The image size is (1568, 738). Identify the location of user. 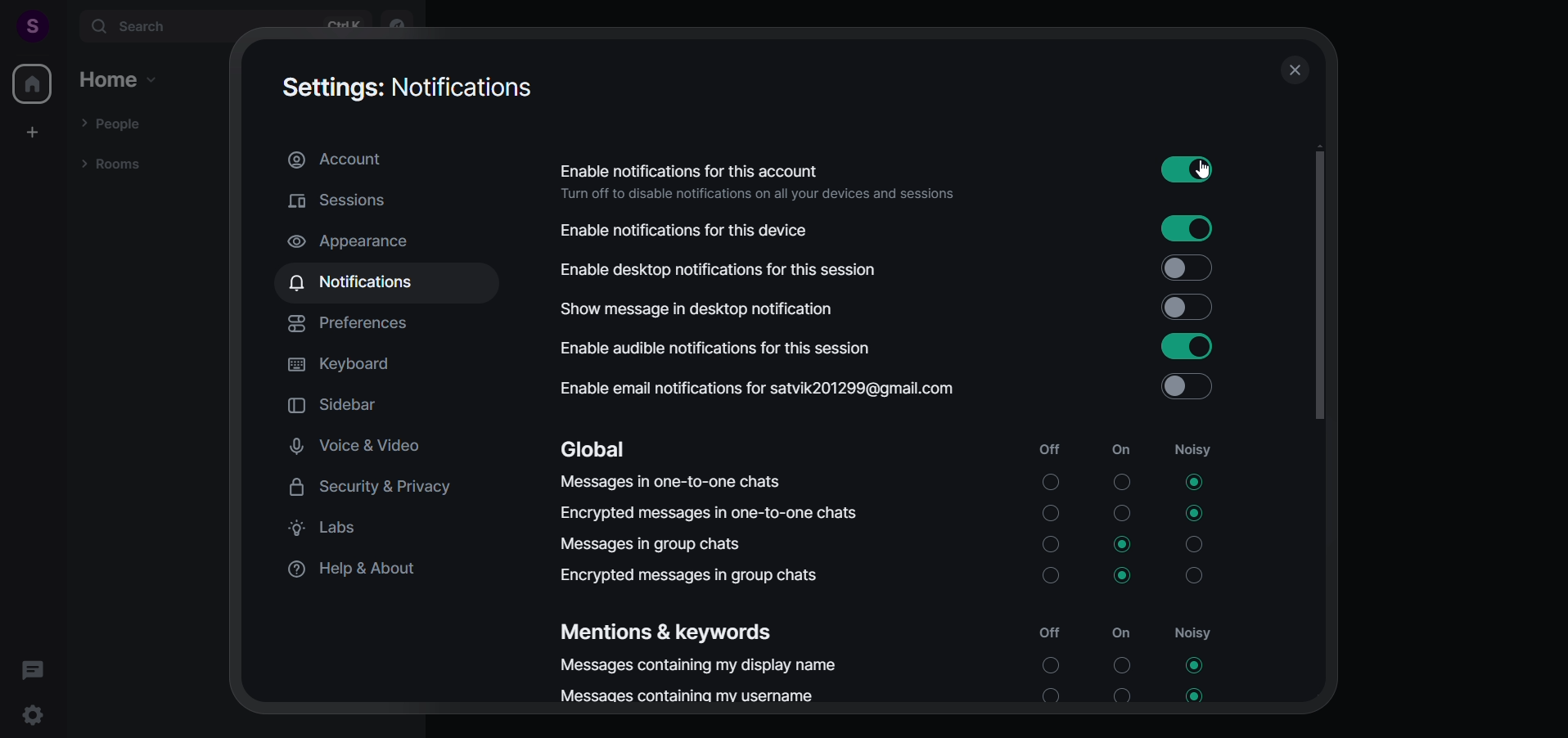
(25, 25).